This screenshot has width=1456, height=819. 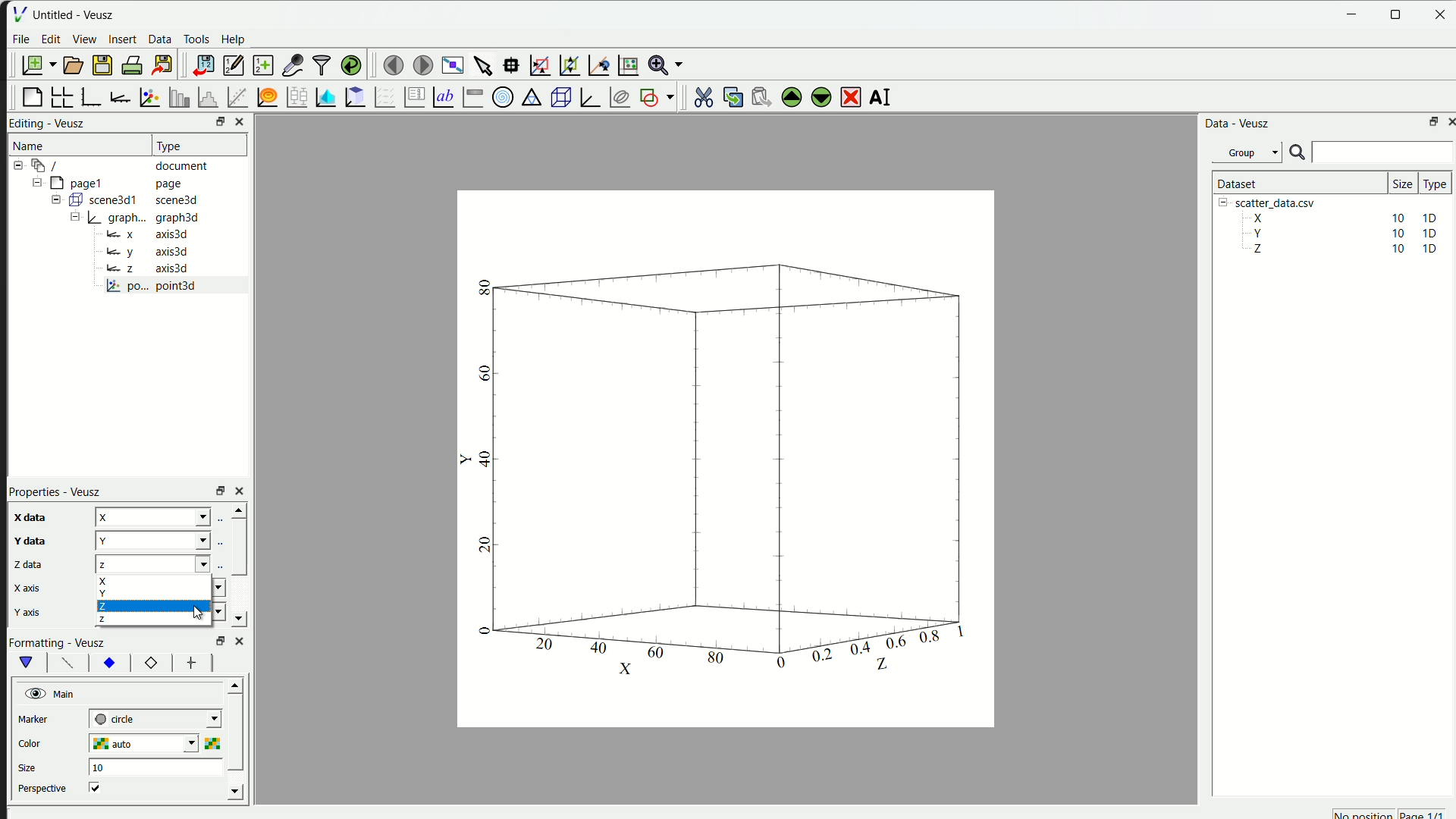 What do you see at coordinates (142, 219) in the screenshot?
I see `= | graph... graph3d` at bounding box center [142, 219].